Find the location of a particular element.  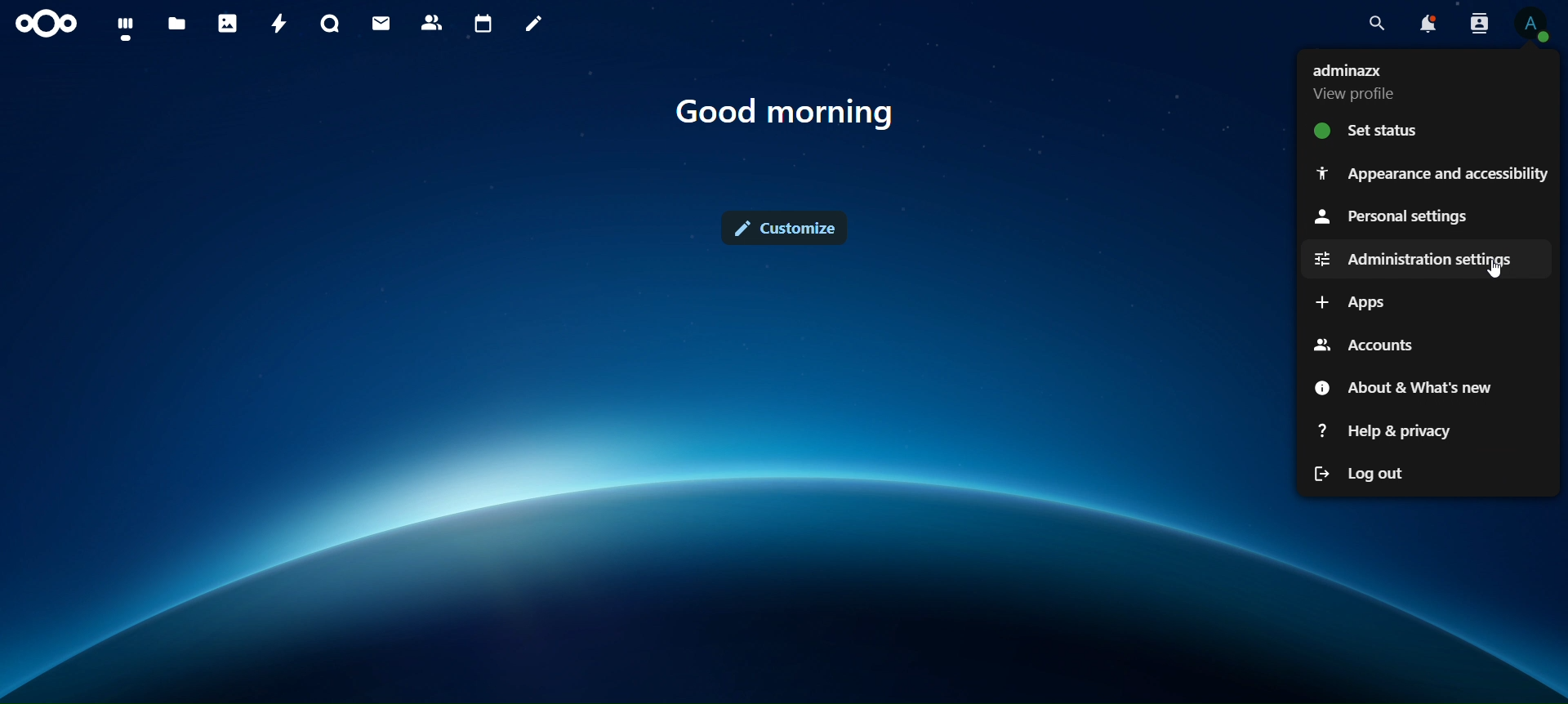

view profile is located at coordinates (1359, 83).